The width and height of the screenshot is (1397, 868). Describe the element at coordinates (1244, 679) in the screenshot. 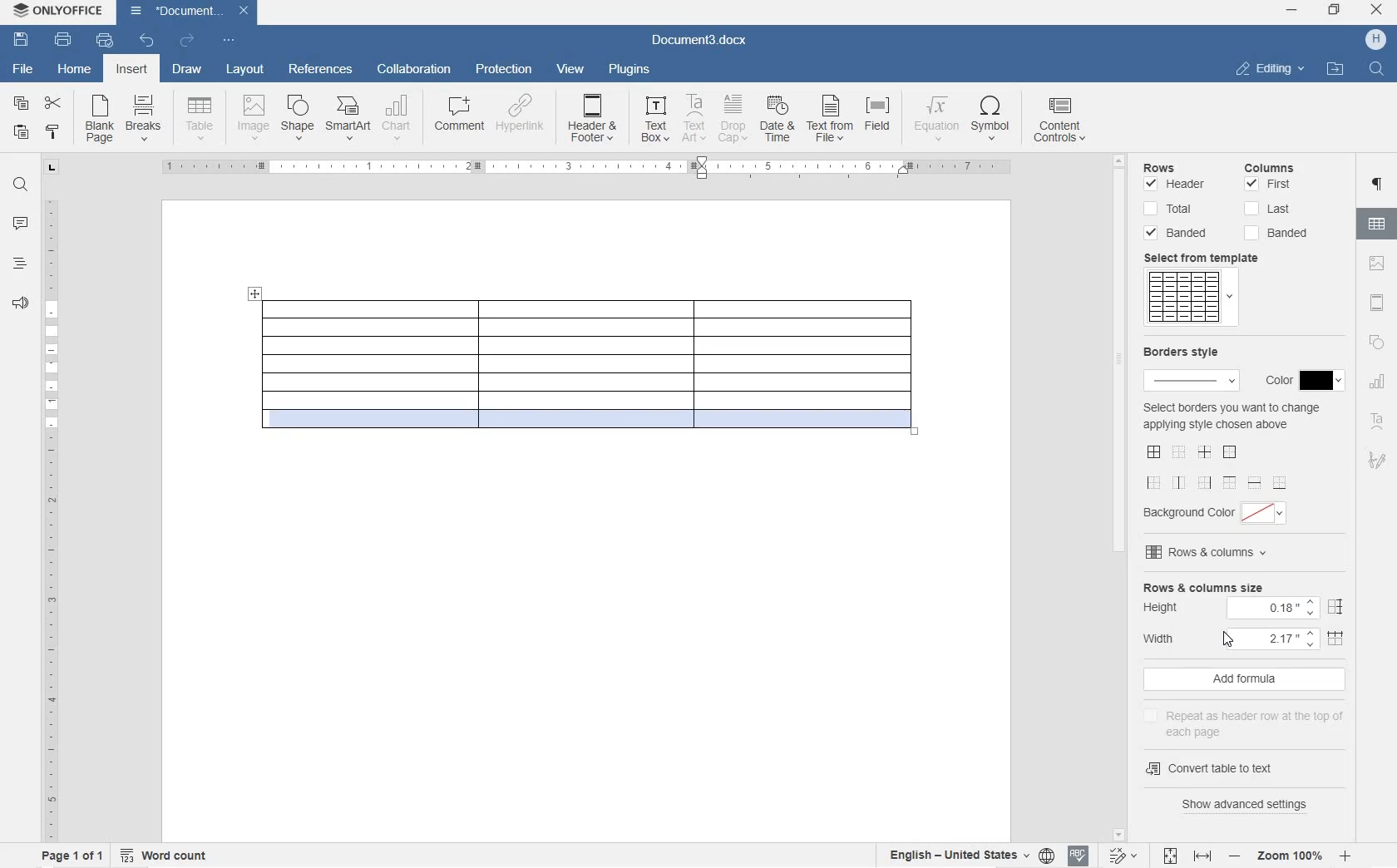

I see `add formula` at that location.